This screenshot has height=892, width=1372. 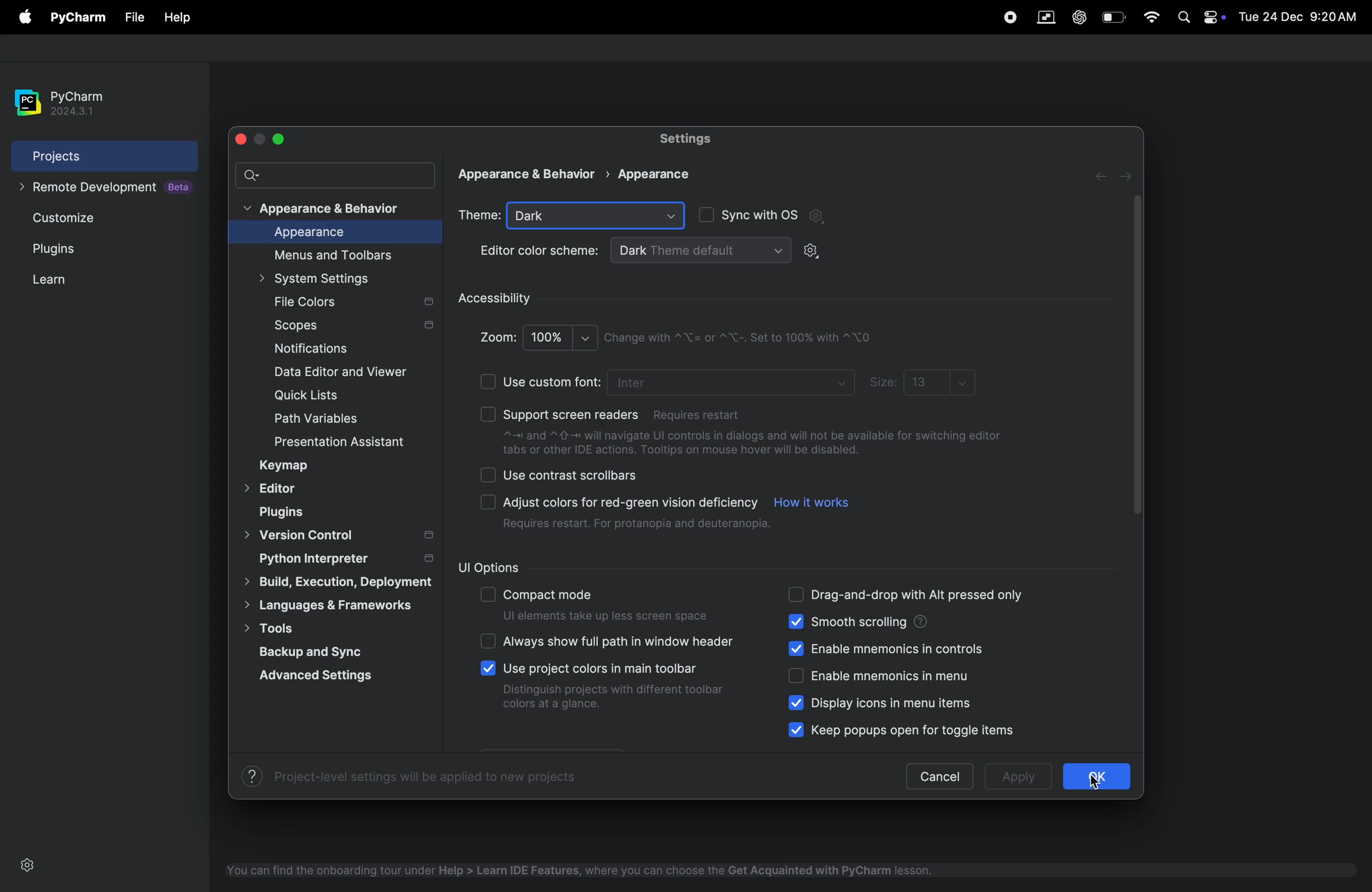 What do you see at coordinates (497, 338) in the screenshot?
I see `zoom` at bounding box center [497, 338].